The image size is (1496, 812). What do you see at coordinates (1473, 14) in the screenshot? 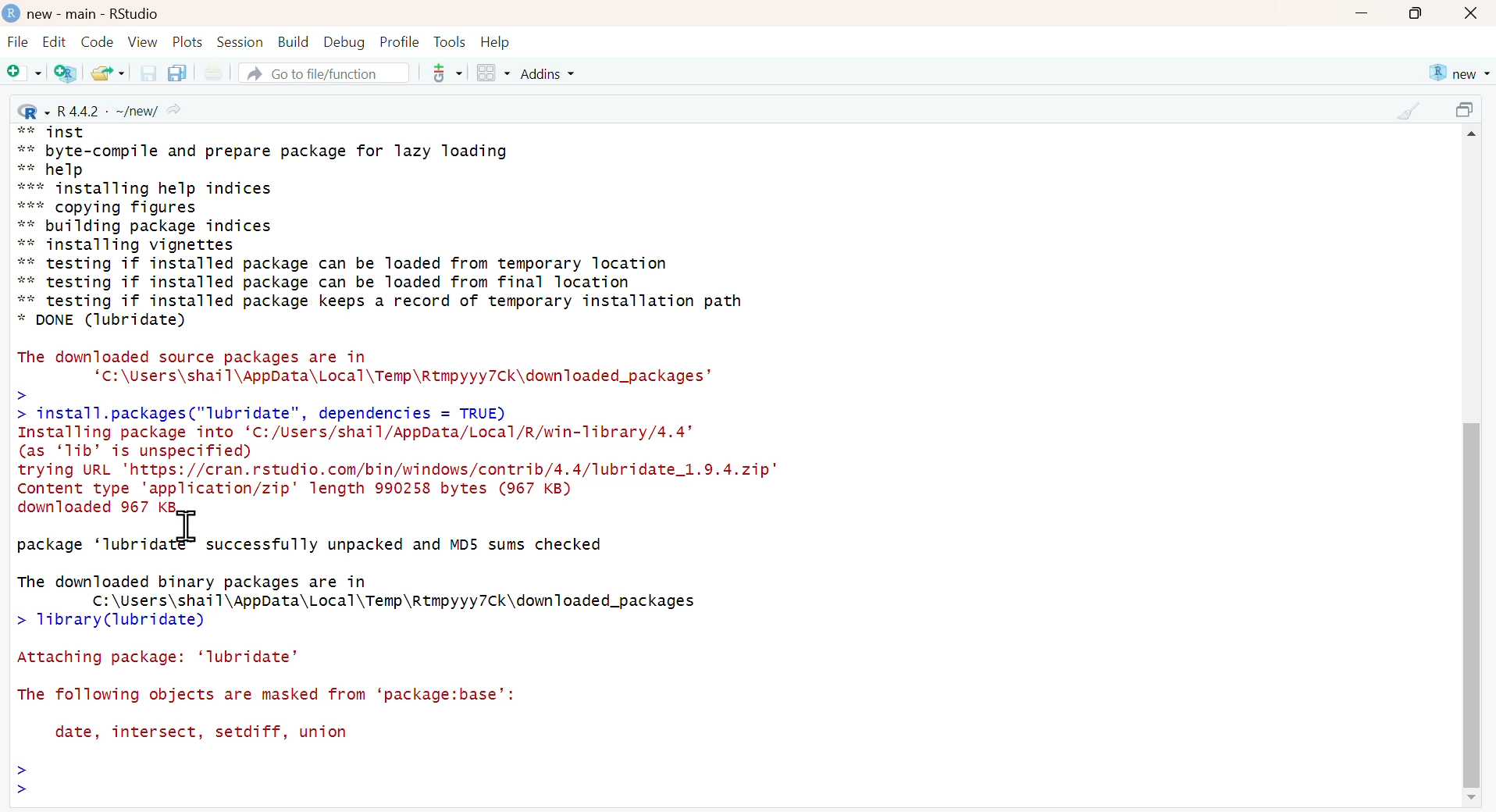
I see `close` at bounding box center [1473, 14].